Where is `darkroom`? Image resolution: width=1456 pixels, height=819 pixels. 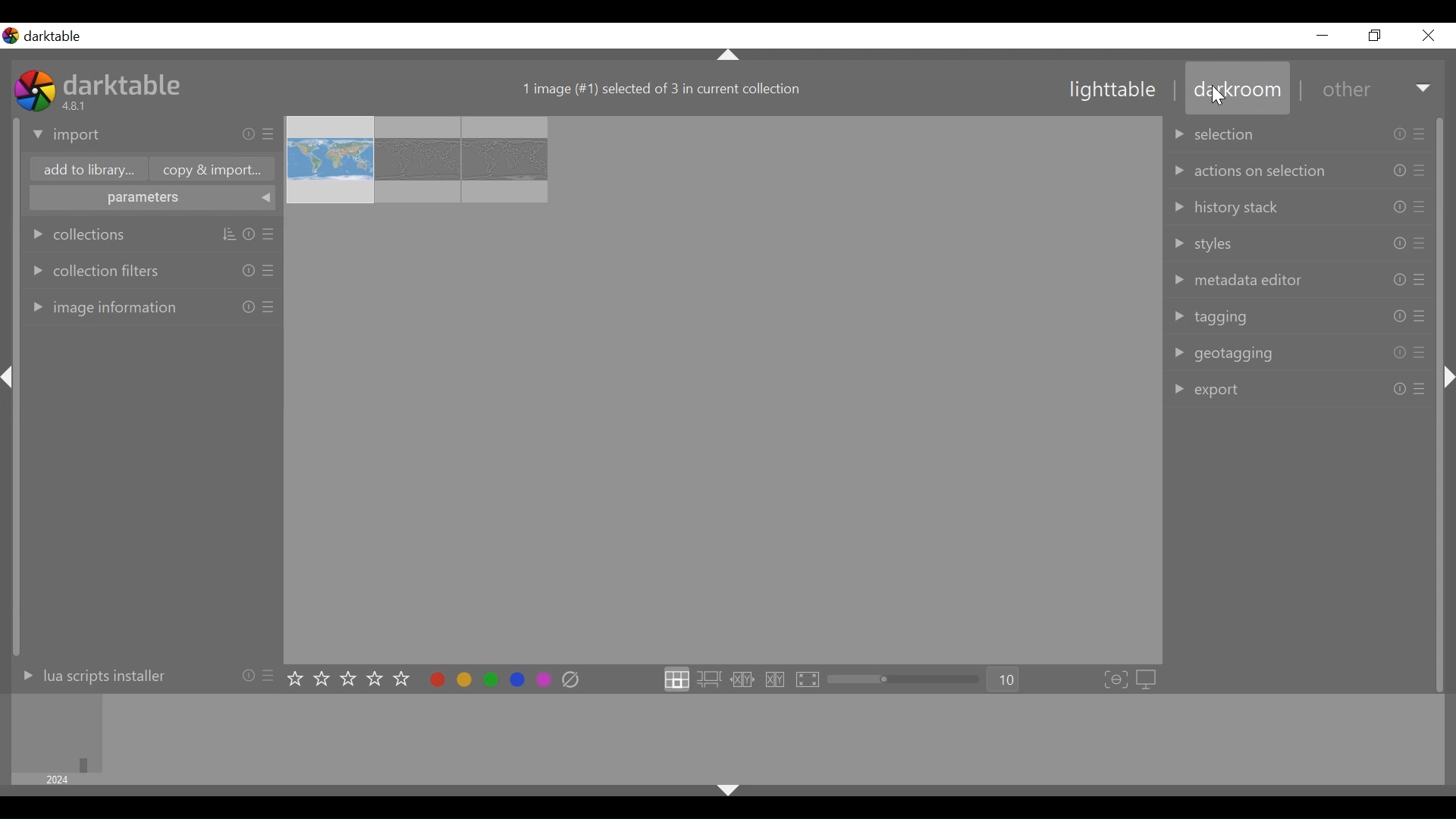 darkroom is located at coordinates (1238, 88).